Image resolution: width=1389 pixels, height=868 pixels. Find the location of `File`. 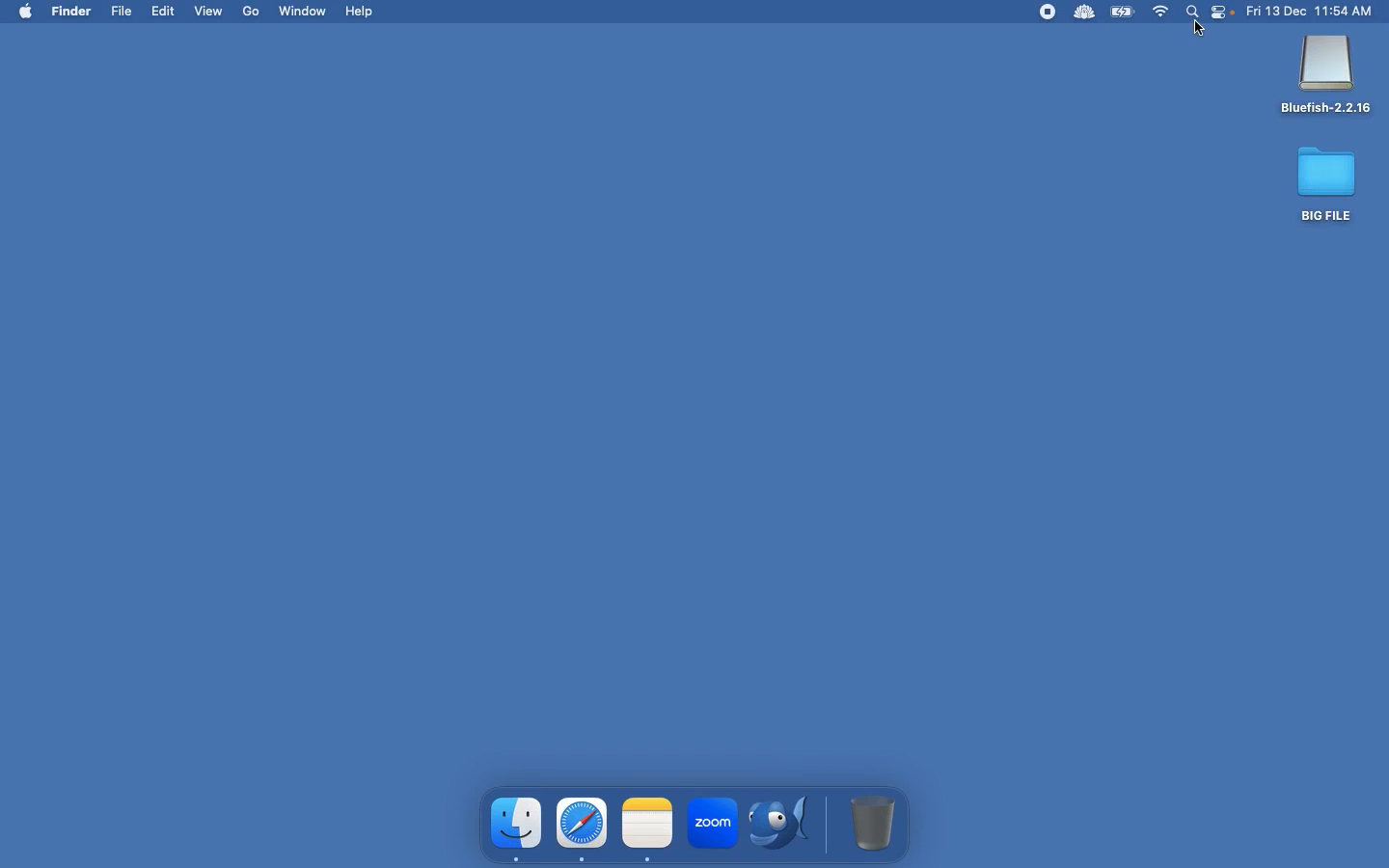

File is located at coordinates (123, 12).